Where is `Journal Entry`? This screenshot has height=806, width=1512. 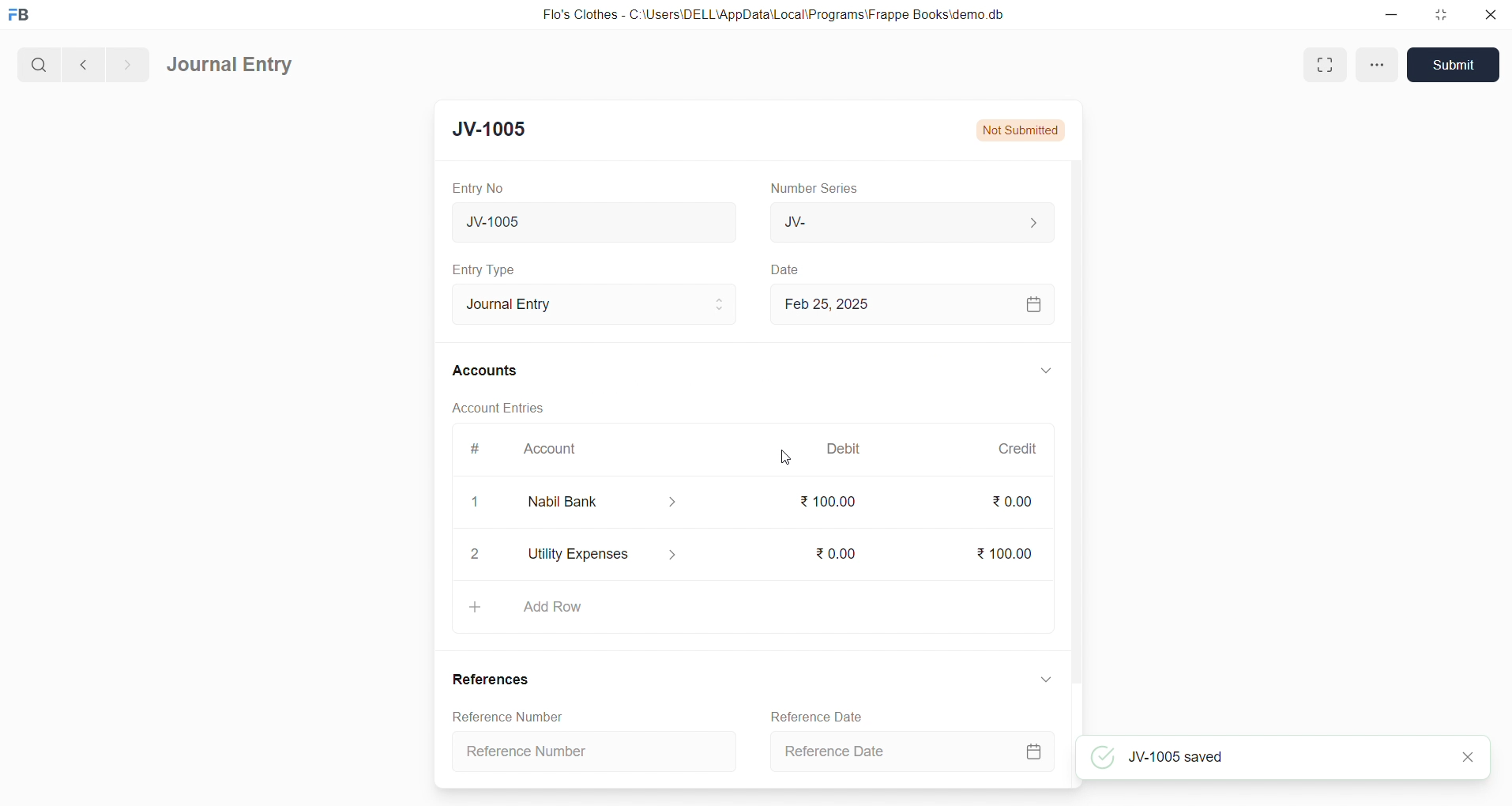
Journal Entry is located at coordinates (582, 302).